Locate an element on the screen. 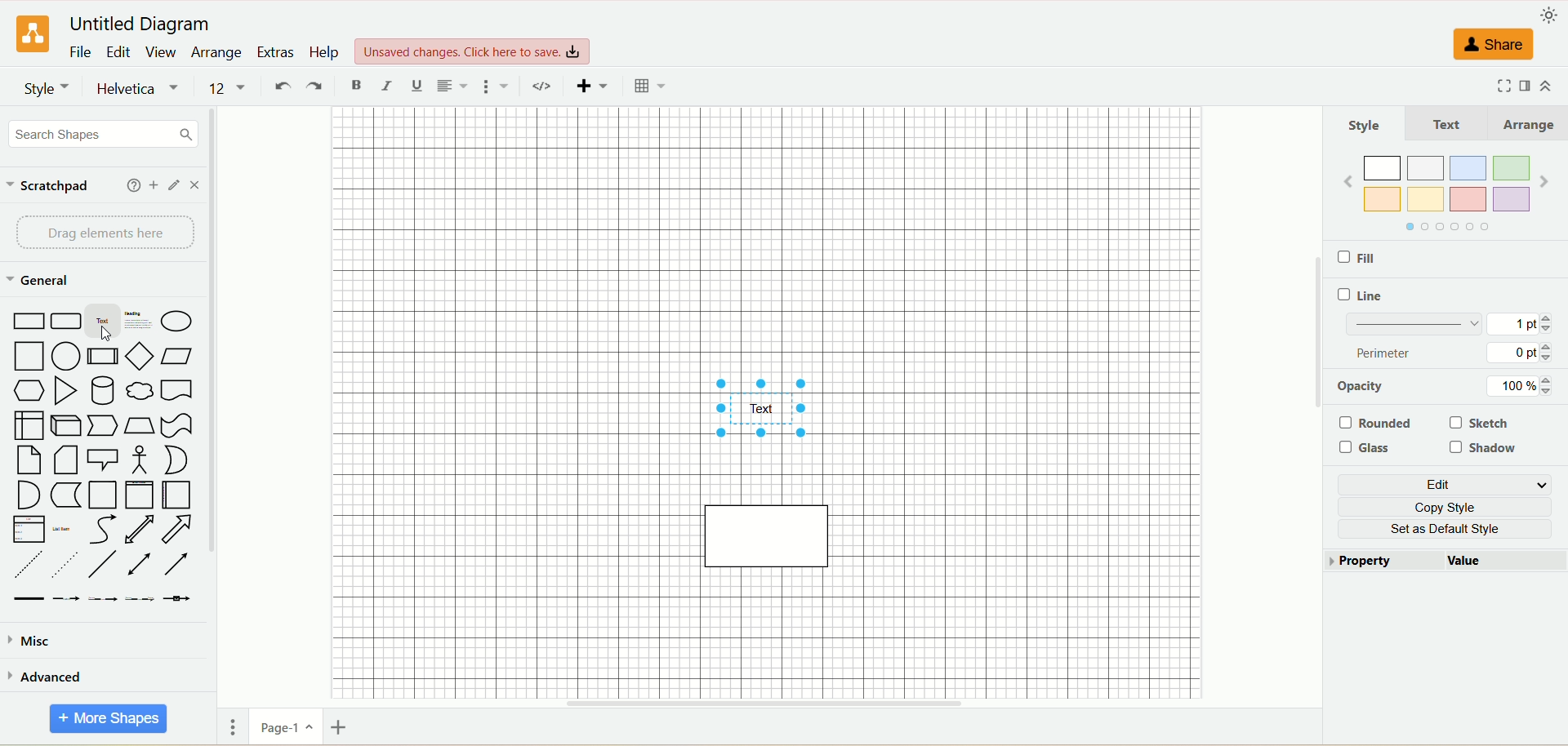 The height and width of the screenshot is (746, 1568). parallelogram is located at coordinates (174, 356).